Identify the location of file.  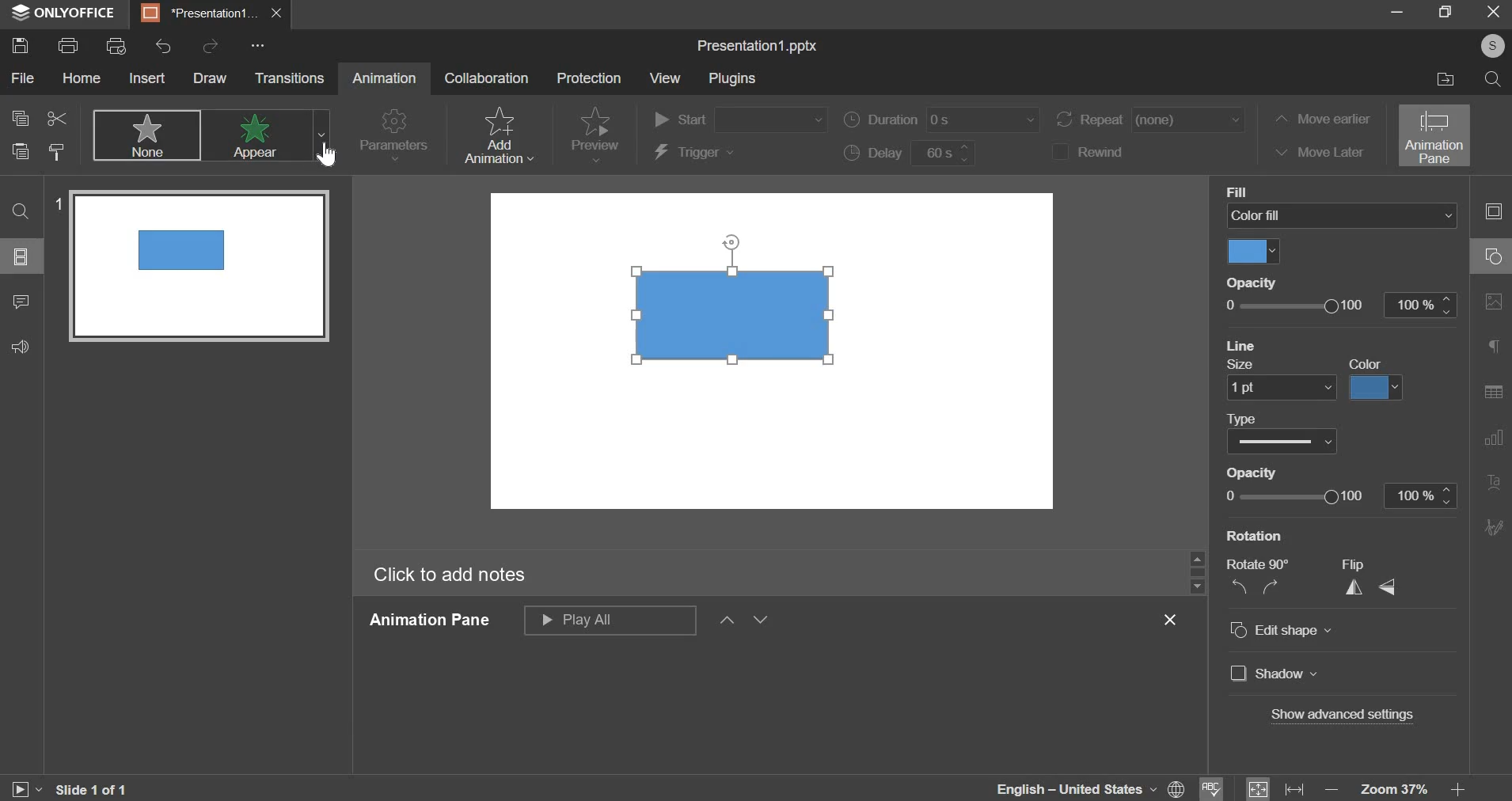
(22, 78).